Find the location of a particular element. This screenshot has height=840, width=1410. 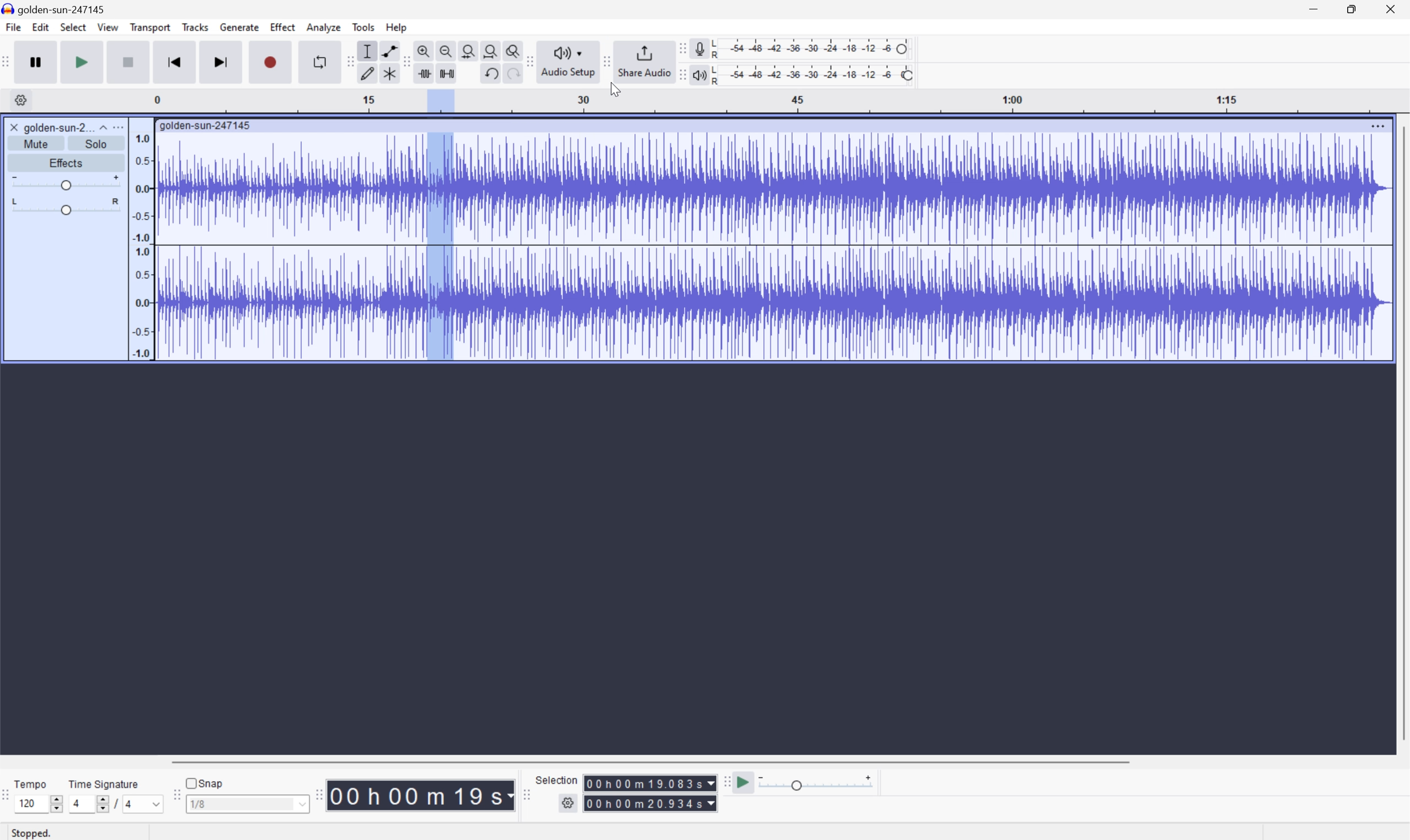

1/8 is located at coordinates (198, 803).